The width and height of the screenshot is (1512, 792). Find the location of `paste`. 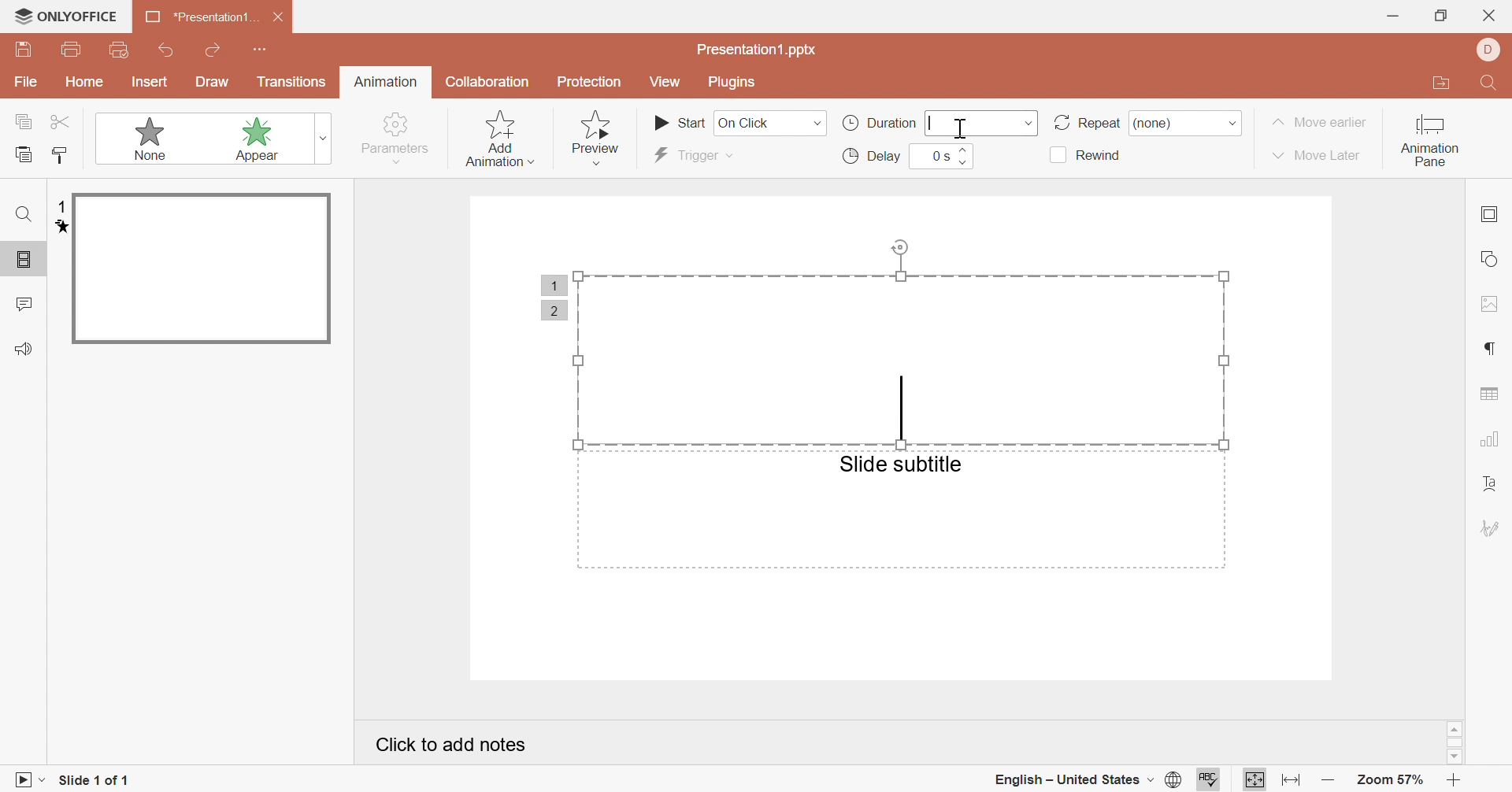

paste is located at coordinates (24, 153).